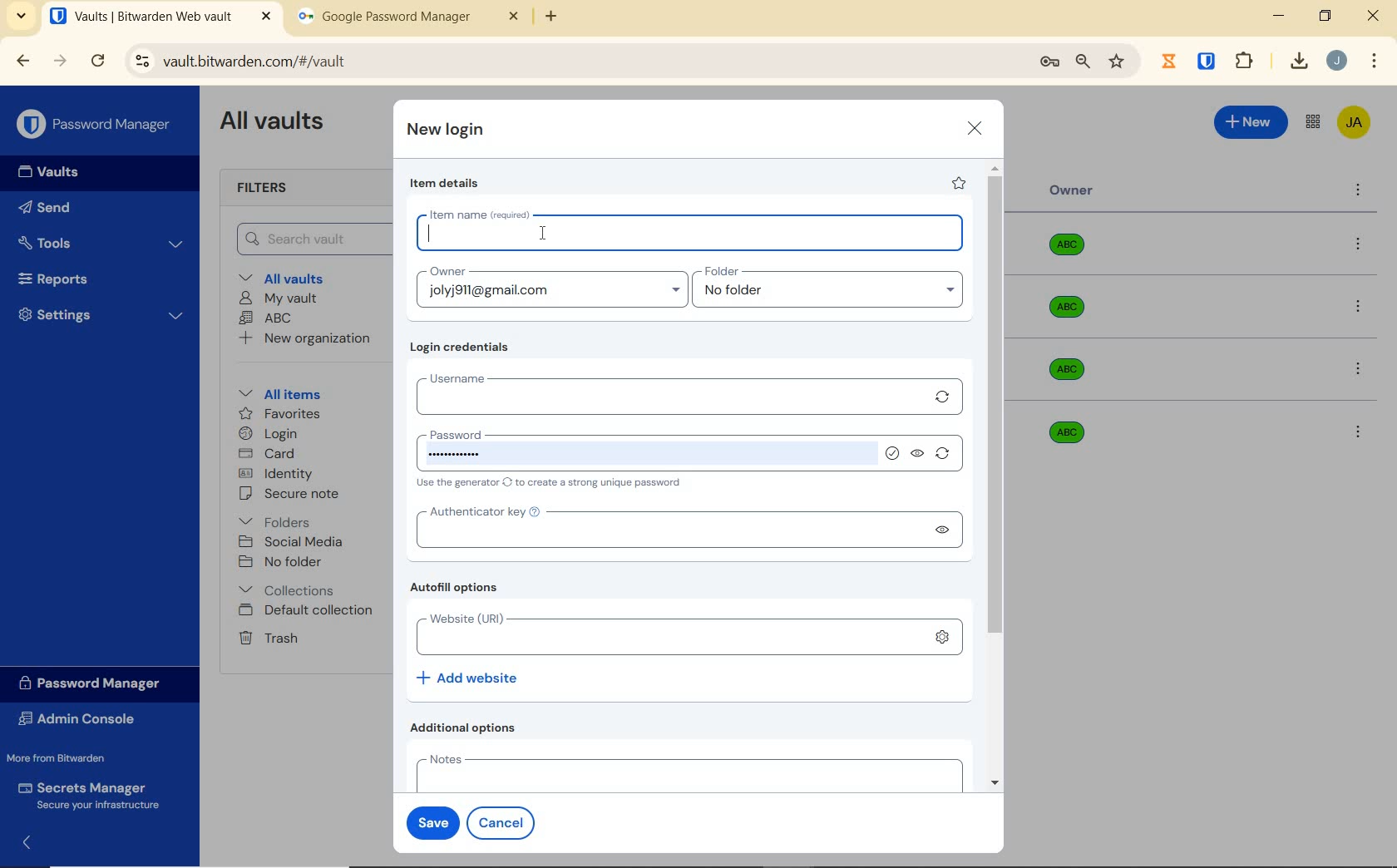 The image size is (1397, 868). Describe the element at coordinates (1278, 16) in the screenshot. I see `minimize` at that location.